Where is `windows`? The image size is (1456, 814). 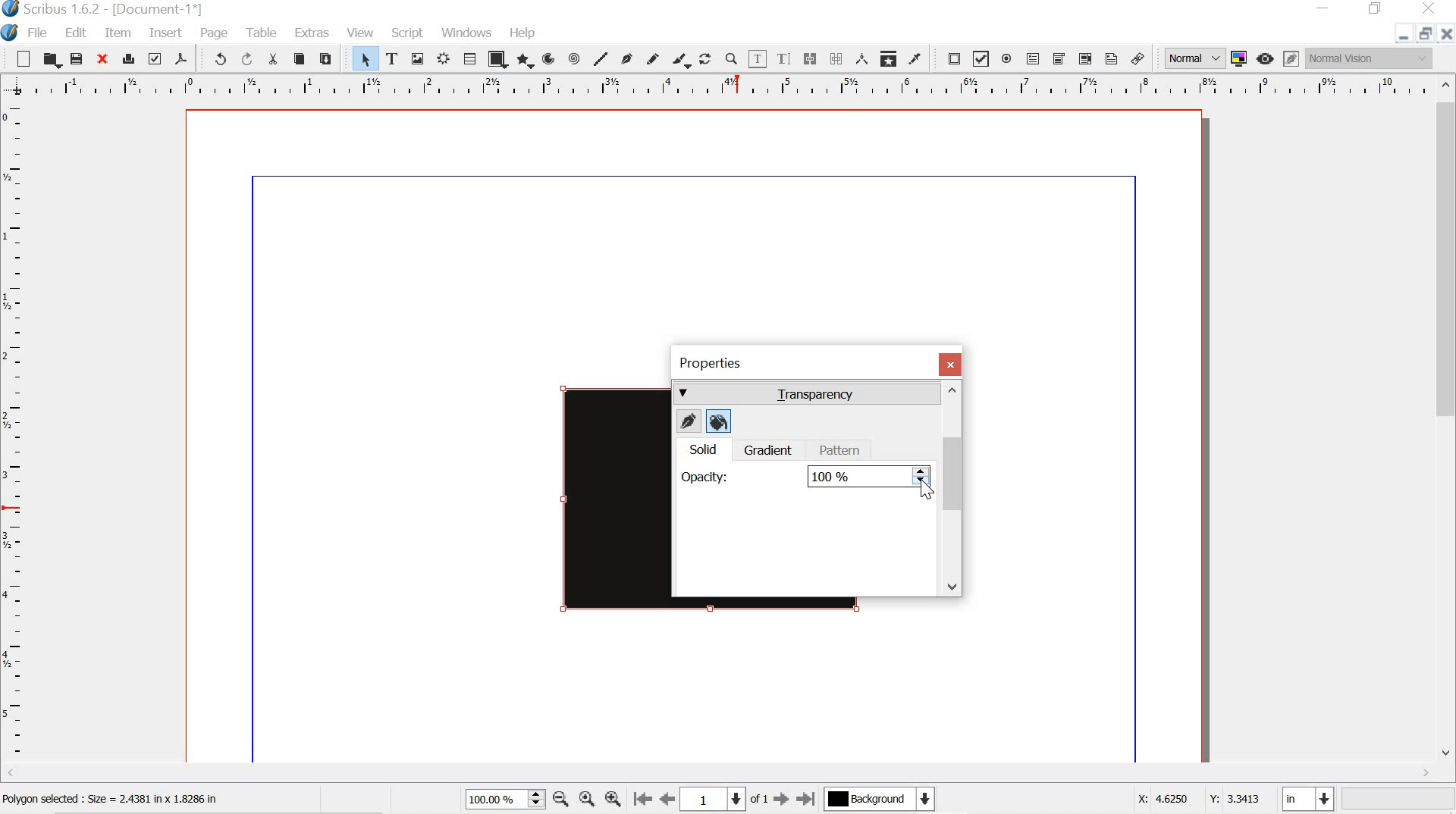
windows is located at coordinates (468, 32).